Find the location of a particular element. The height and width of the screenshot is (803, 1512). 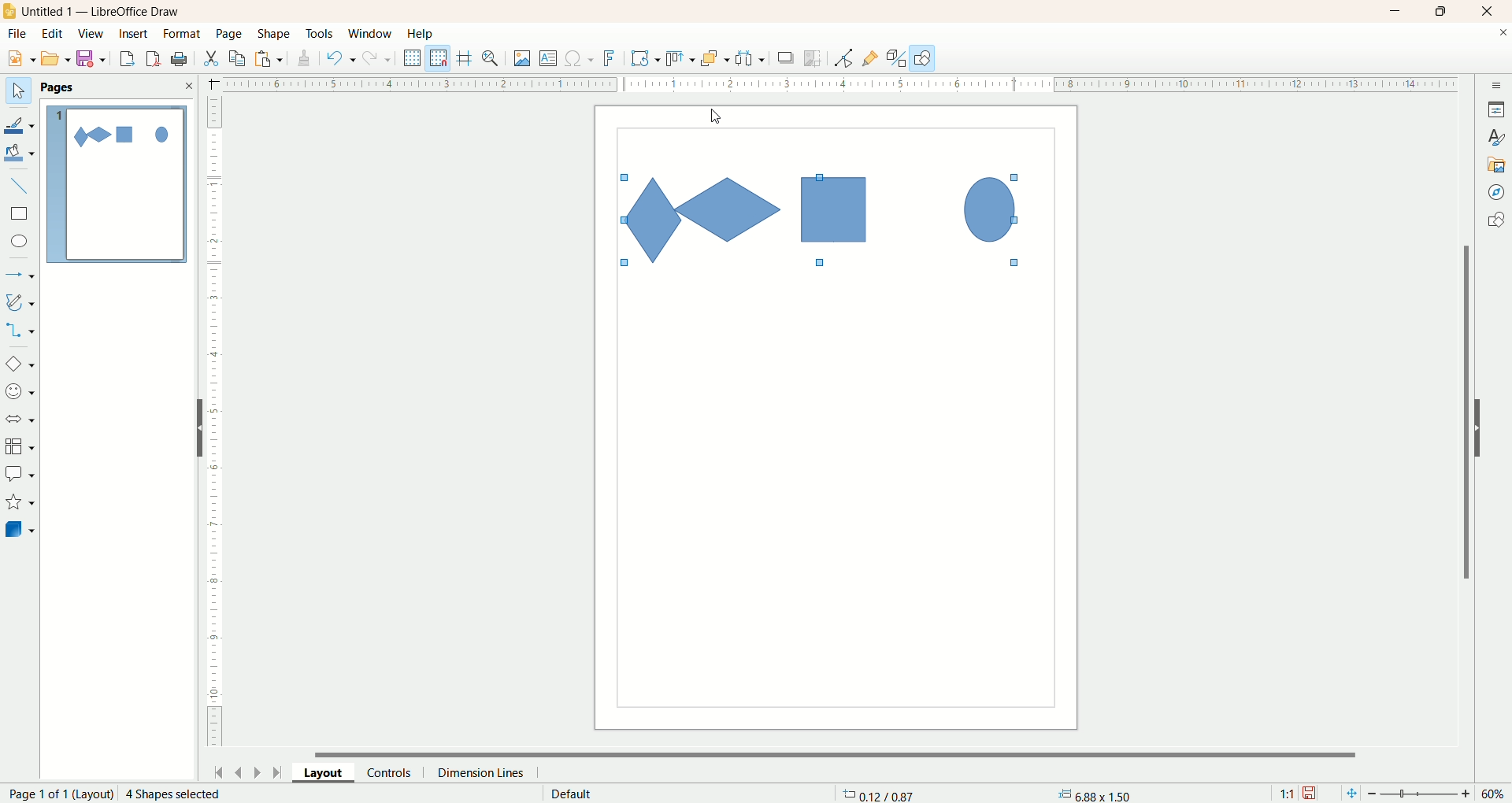

toggle extrusion is located at coordinates (896, 58).